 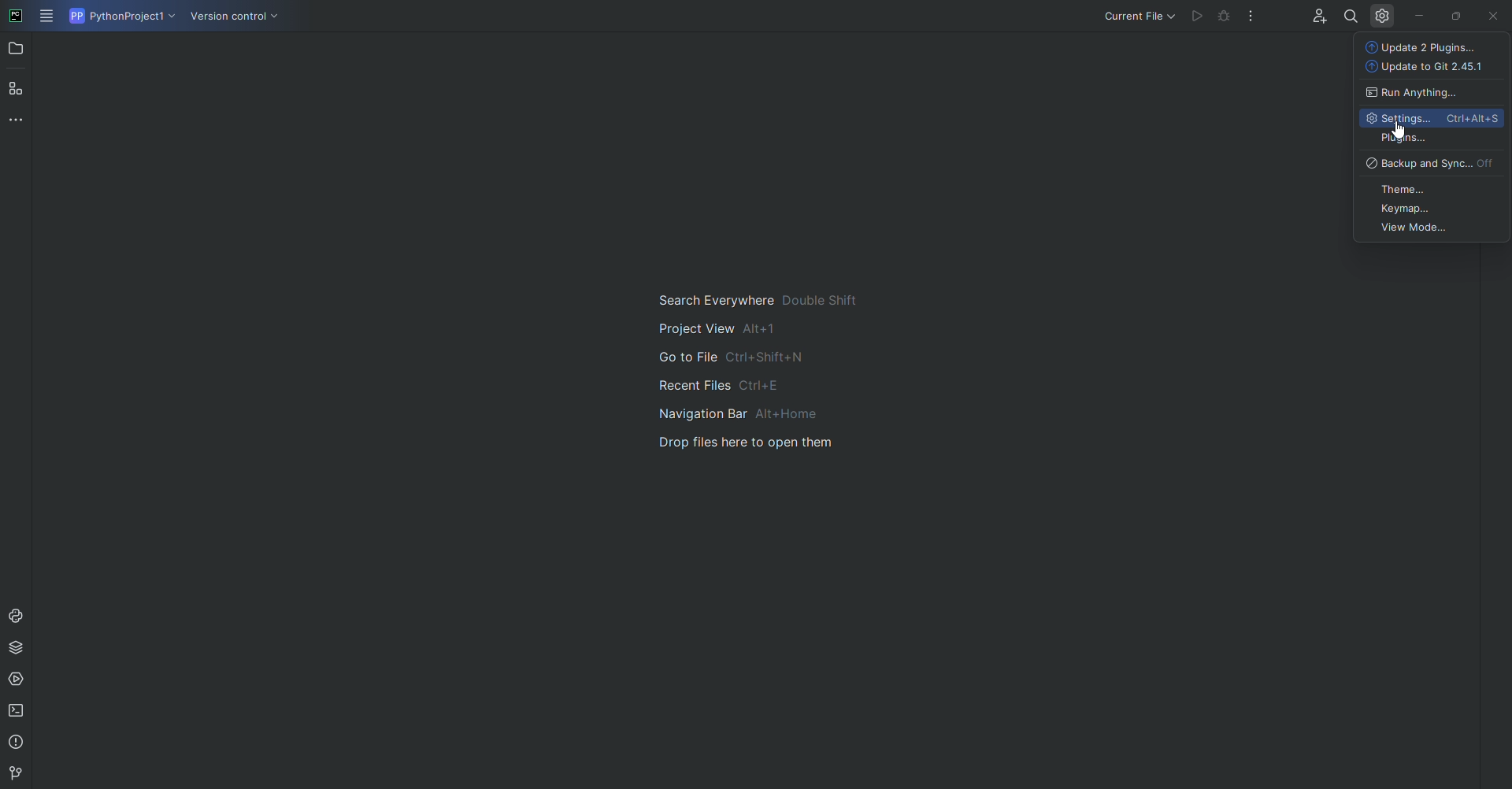 What do you see at coordinates (17, 616) in the screenshot?
I see `Console` at bounding box center [17, 616].